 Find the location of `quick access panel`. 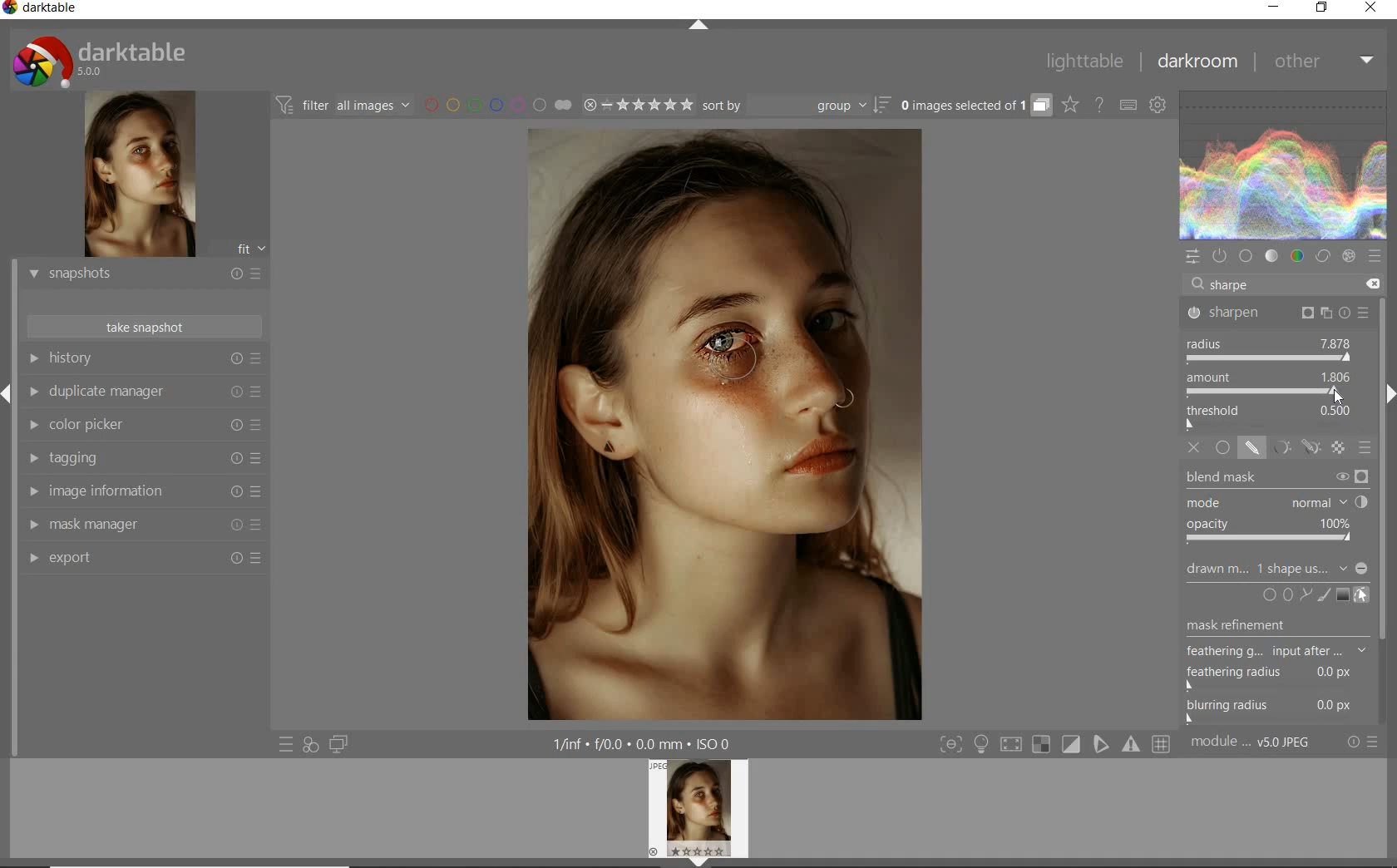

quick access panel is located at coordinates (1193, 257).